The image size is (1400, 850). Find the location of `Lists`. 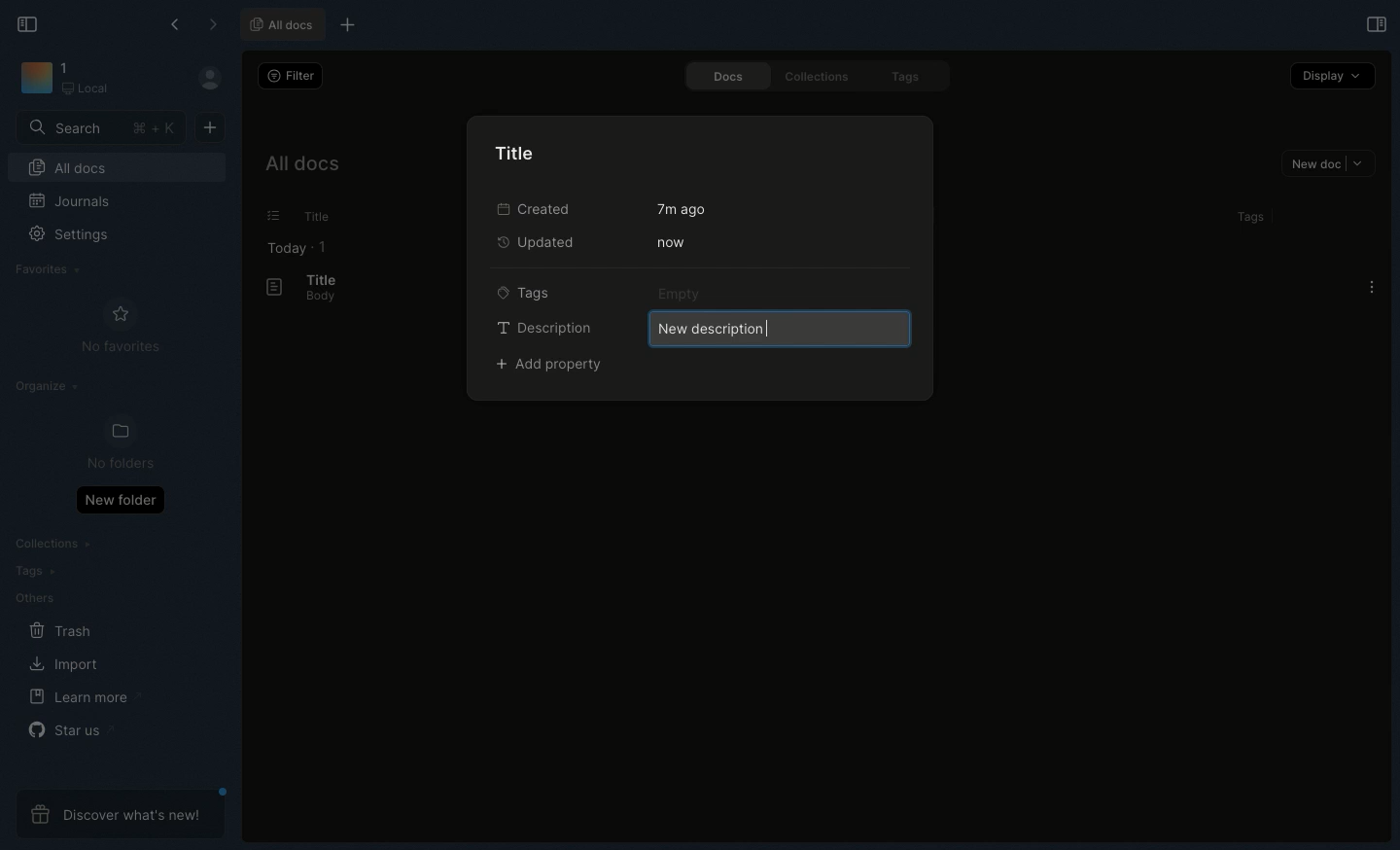

Lists is located at coordinates (267, 216).